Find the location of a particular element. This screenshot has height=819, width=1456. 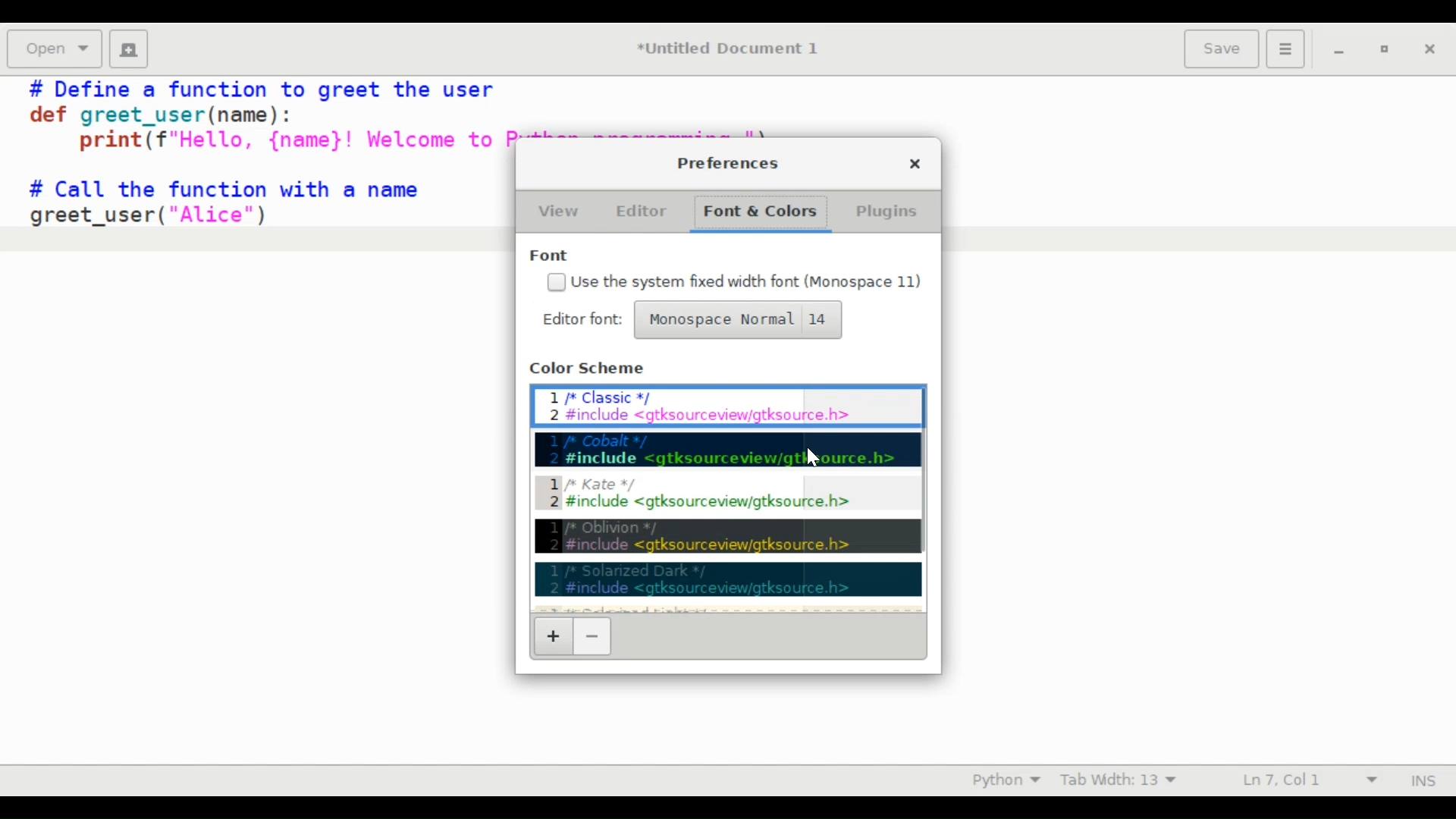

Minimize is located at coordinates (1338, 48).